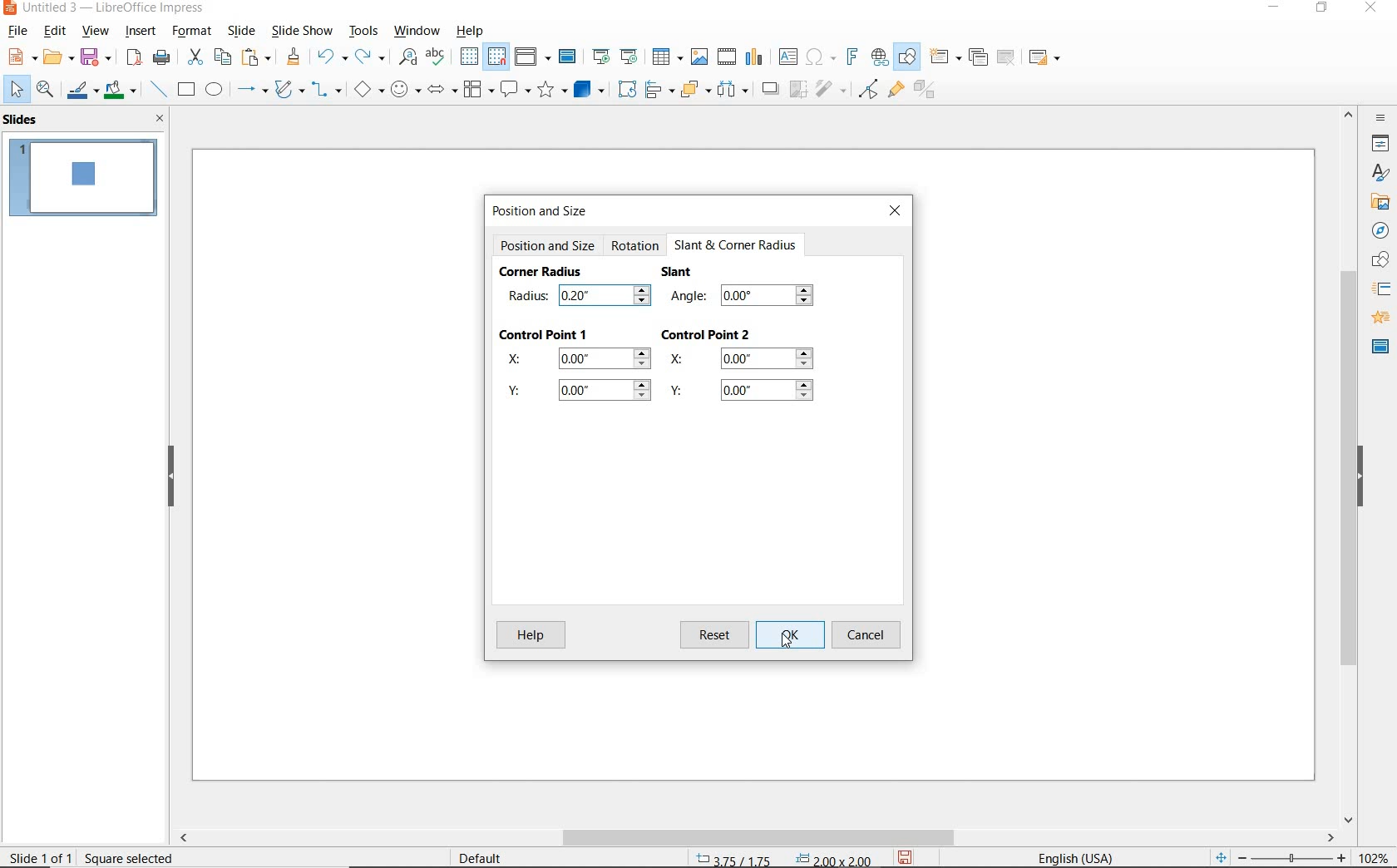  I want to click on sheet 1 of 1, so click(42, 856).